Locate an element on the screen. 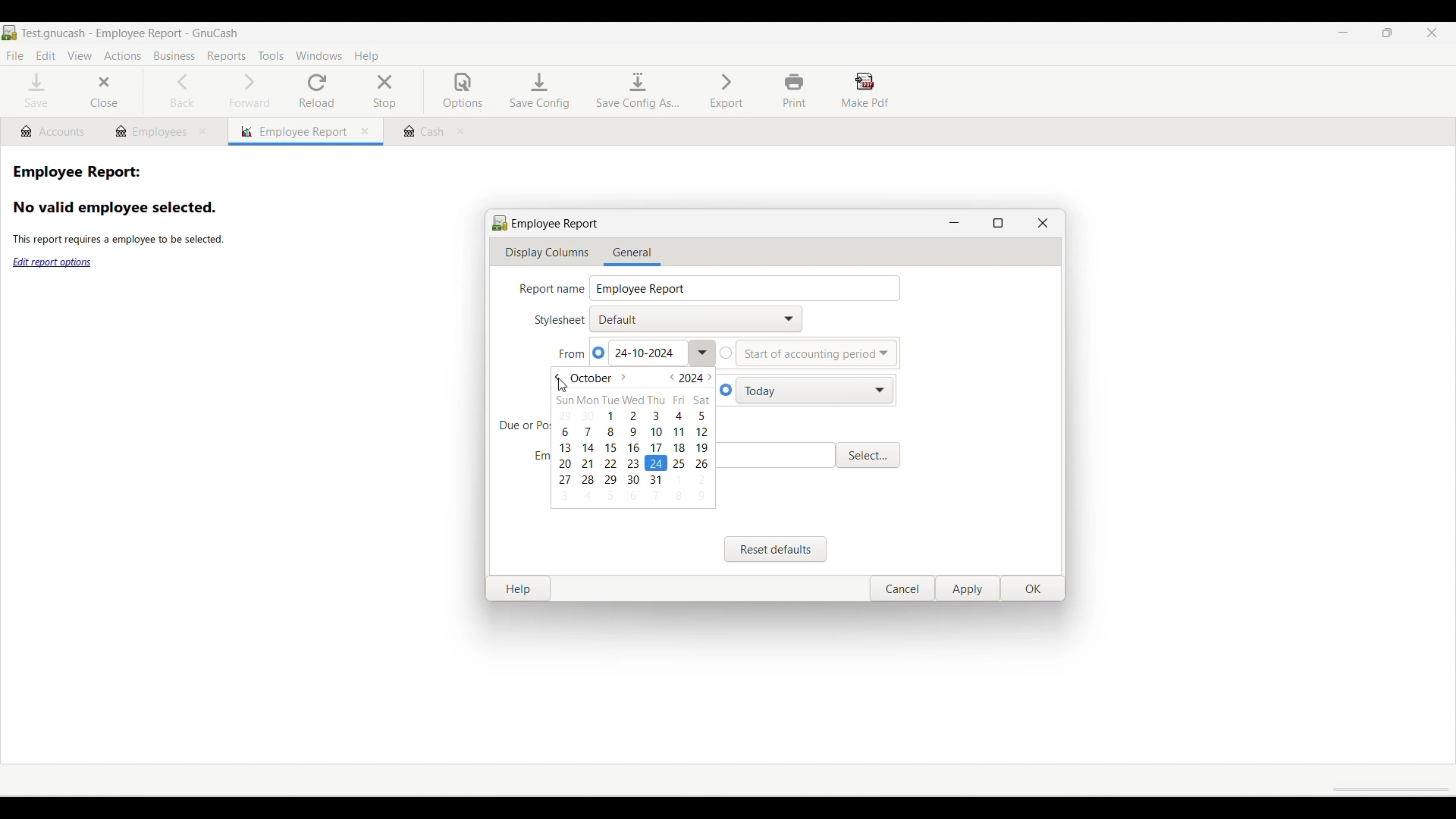  Calendar dropdown to today's date is located at coordinates (633, 437).